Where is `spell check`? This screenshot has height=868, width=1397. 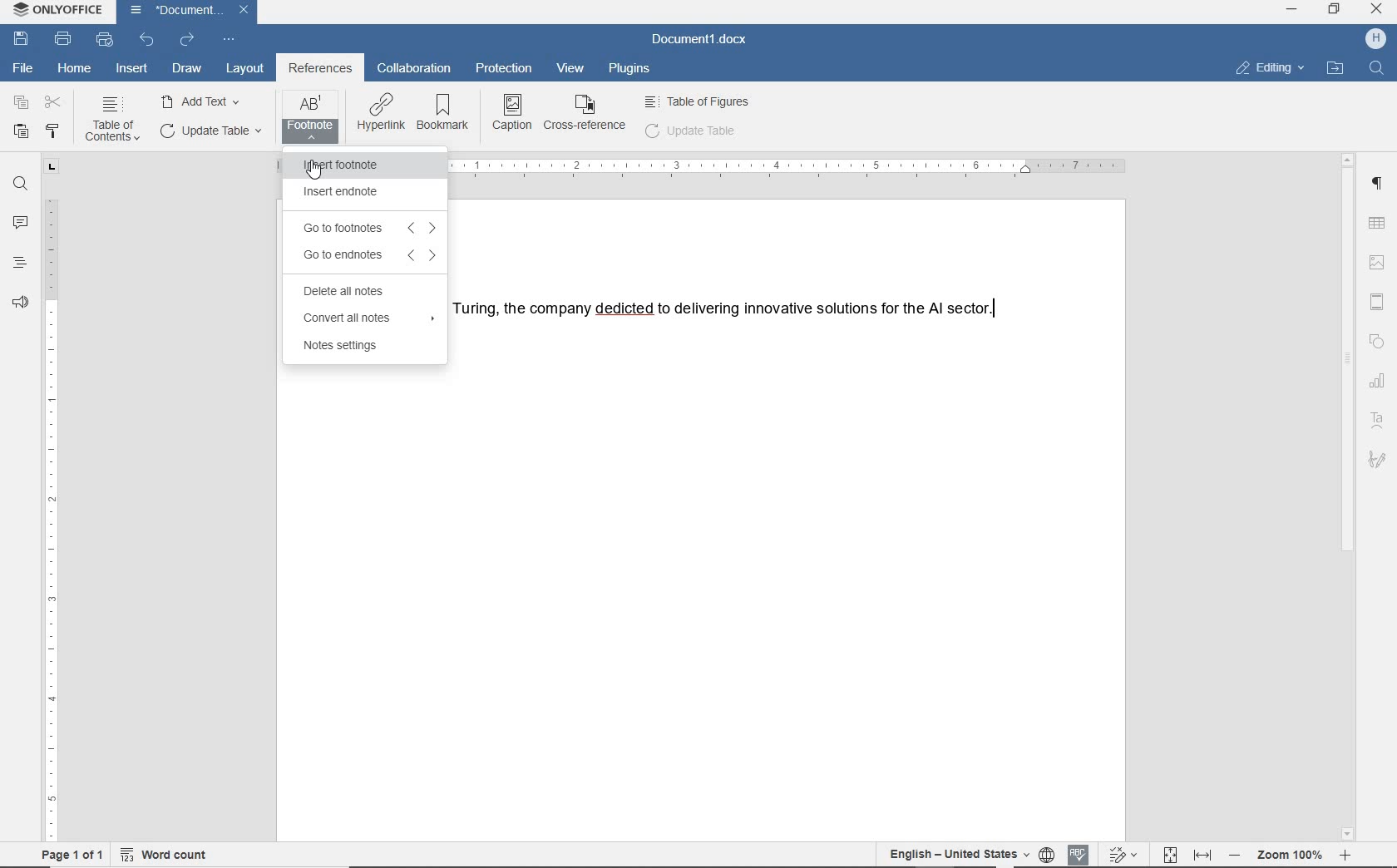
spell check is located at coordinates (1081, 855).